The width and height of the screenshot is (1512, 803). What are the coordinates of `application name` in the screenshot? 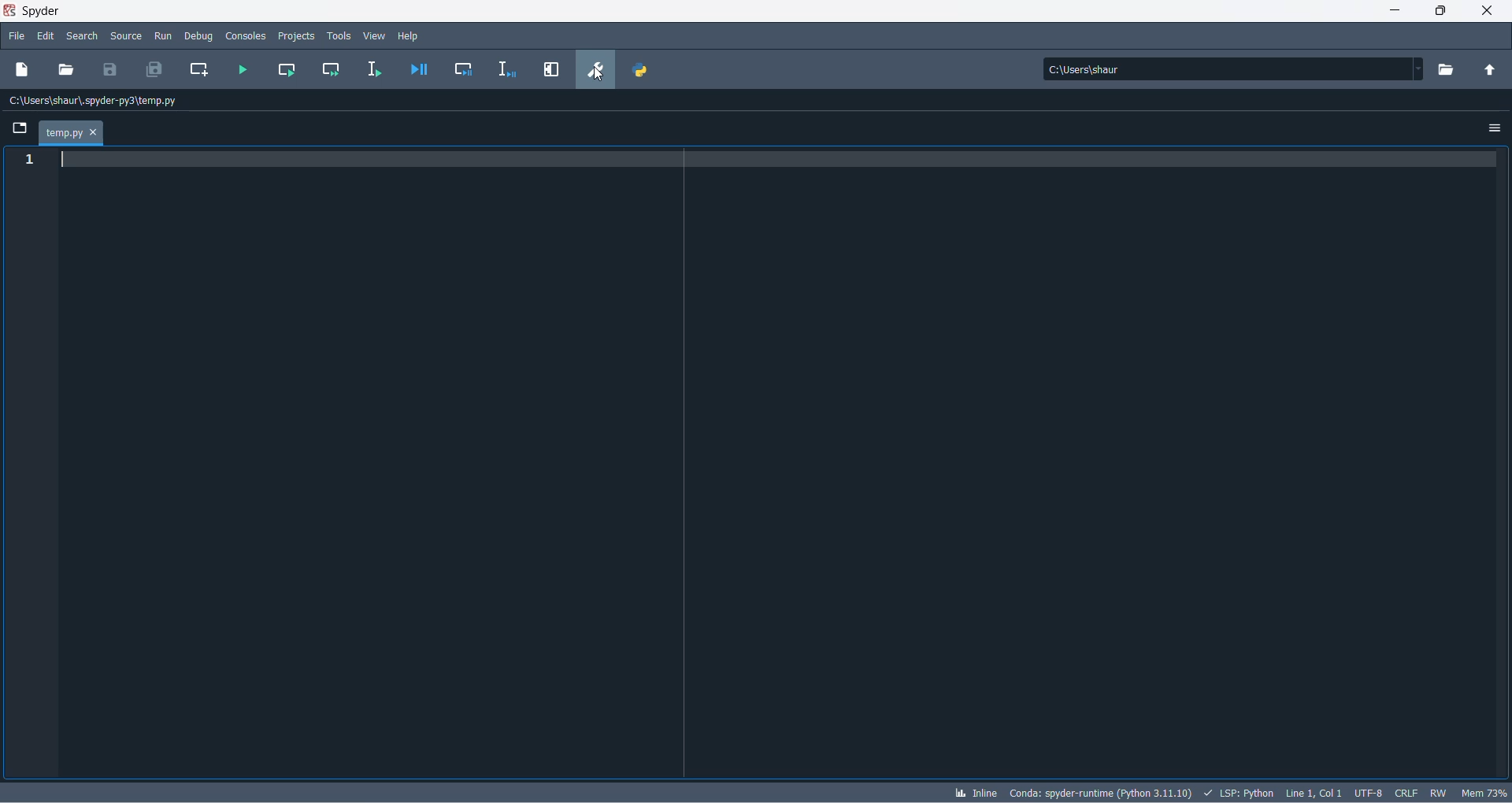 It's located at (34, 9).